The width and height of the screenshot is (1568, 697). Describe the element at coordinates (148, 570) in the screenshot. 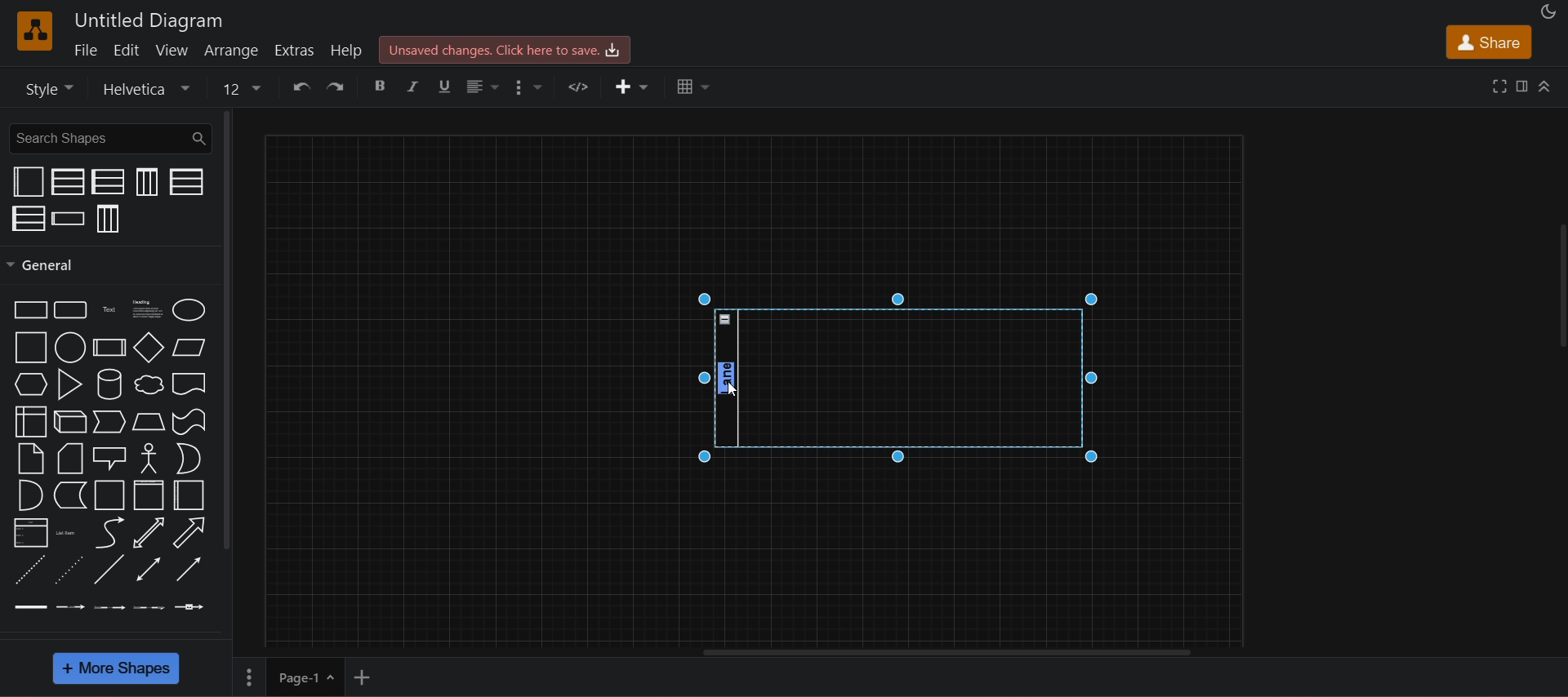

I see `bidirectional connector` at that location.